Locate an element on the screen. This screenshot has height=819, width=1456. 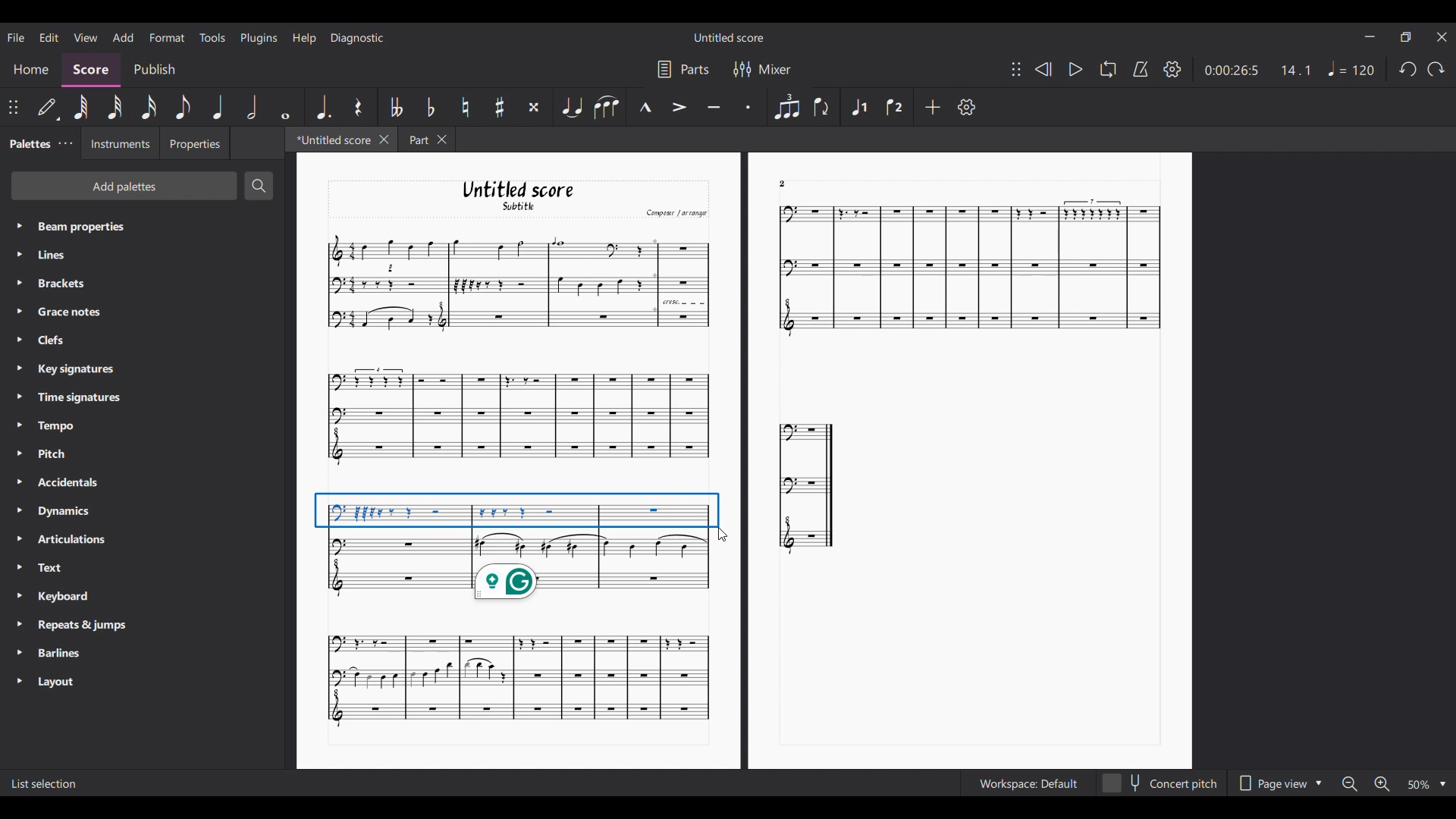
> Text is located at coordinates (49, 572).